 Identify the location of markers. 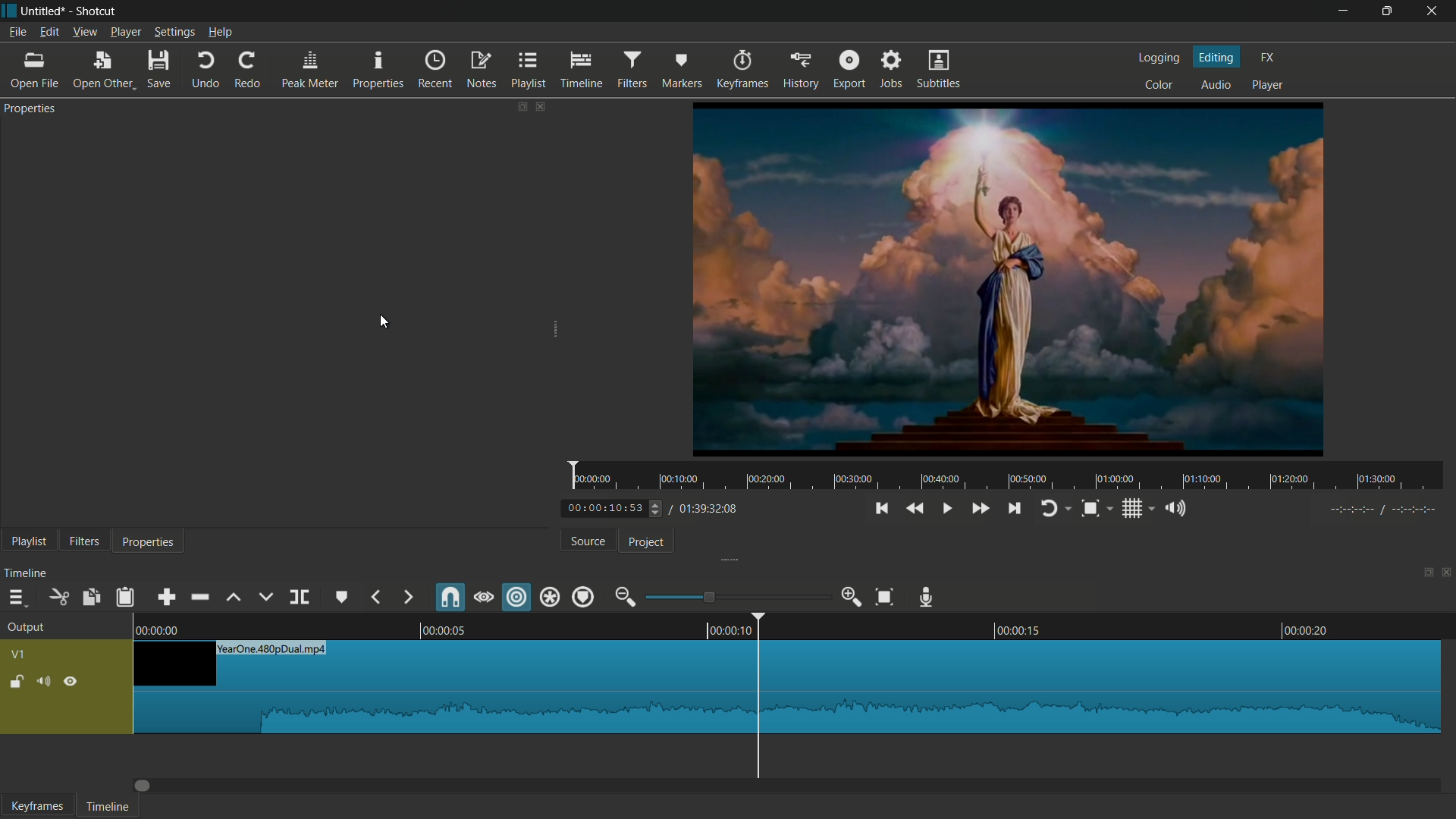
(681, 69).